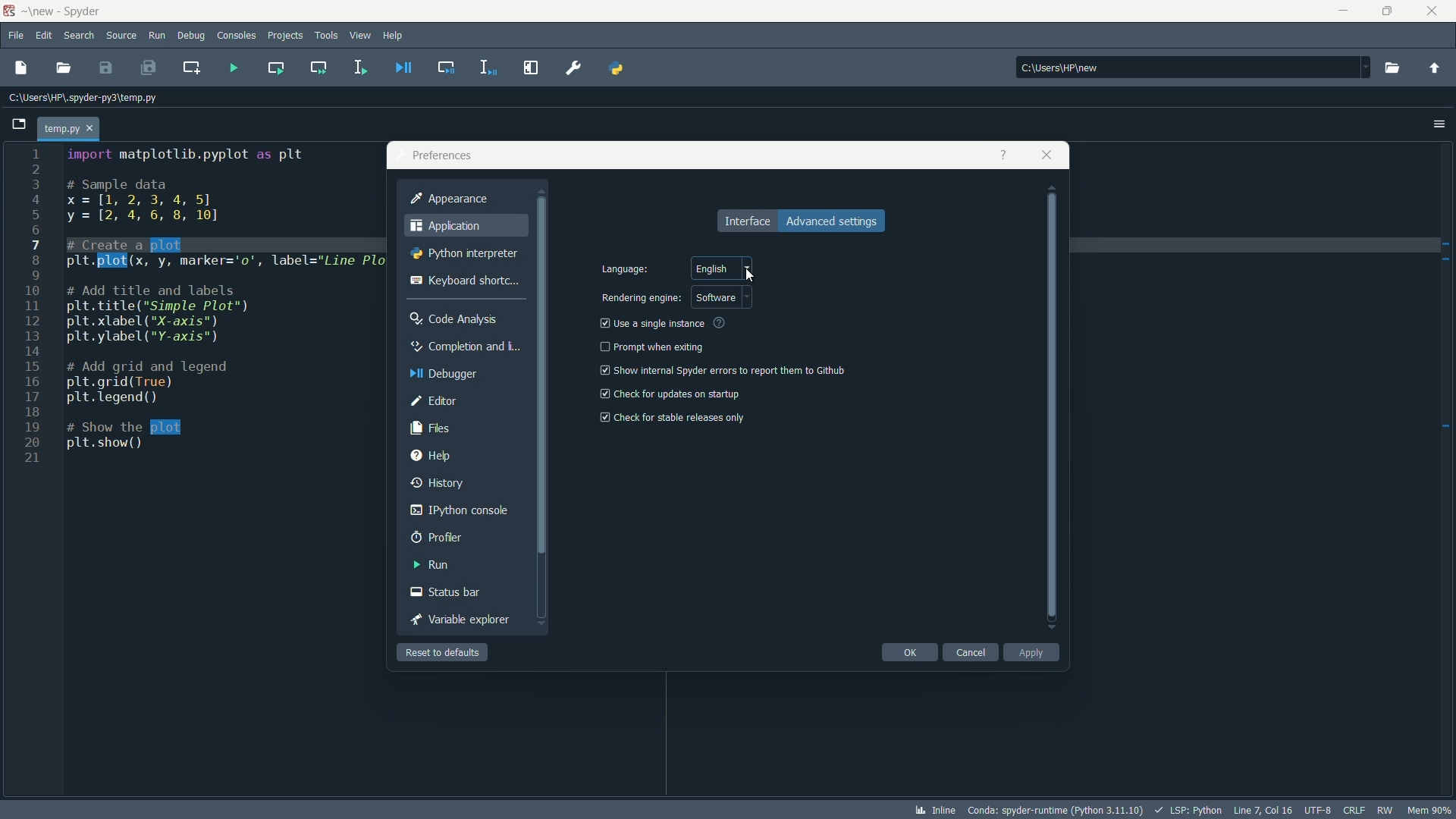  Describe the element at coordinates (394, 36) in the screenshot. I see `help` at that location.